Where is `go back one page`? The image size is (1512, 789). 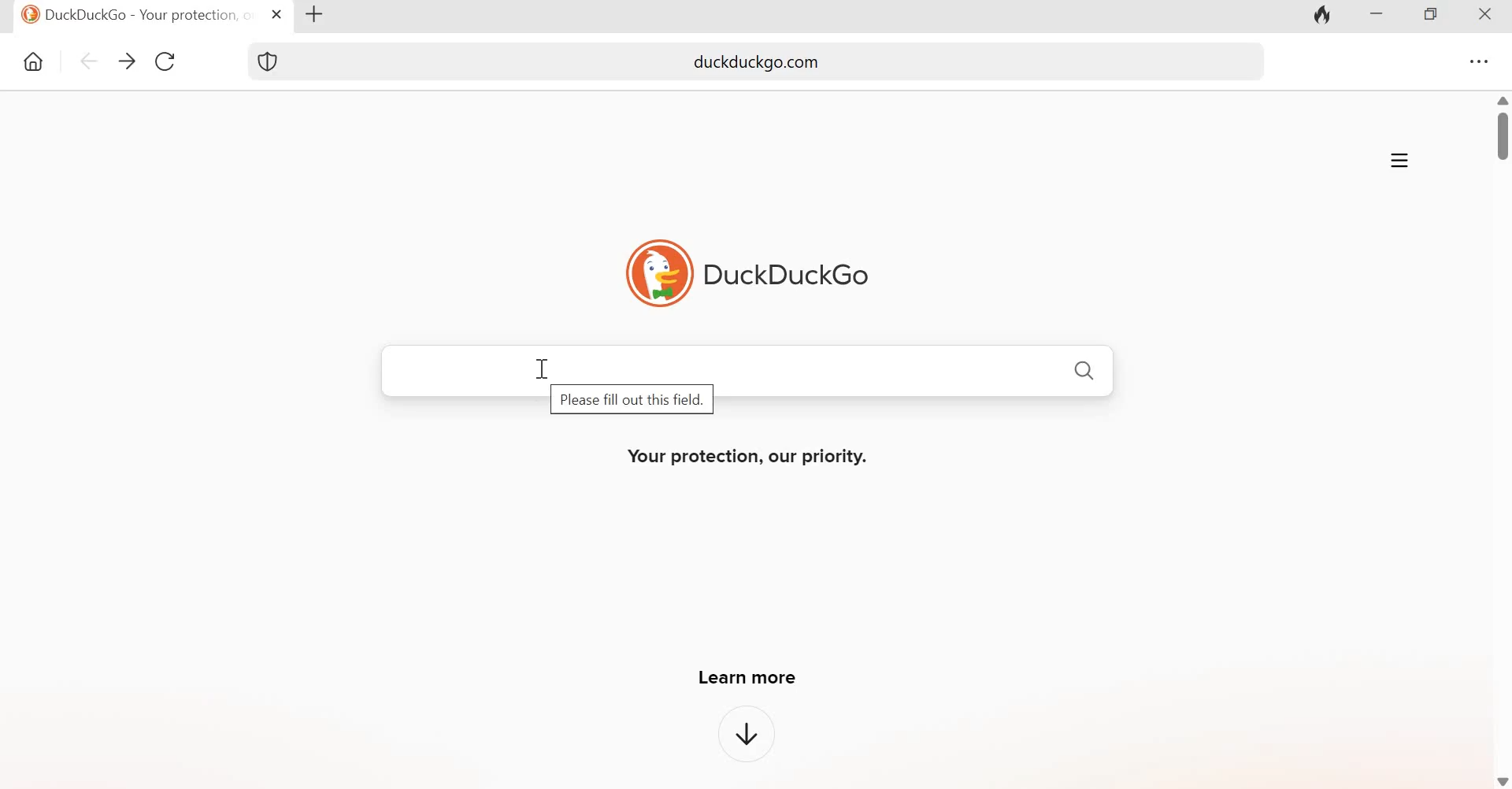 go back one page is located at coordinates (87, 61).